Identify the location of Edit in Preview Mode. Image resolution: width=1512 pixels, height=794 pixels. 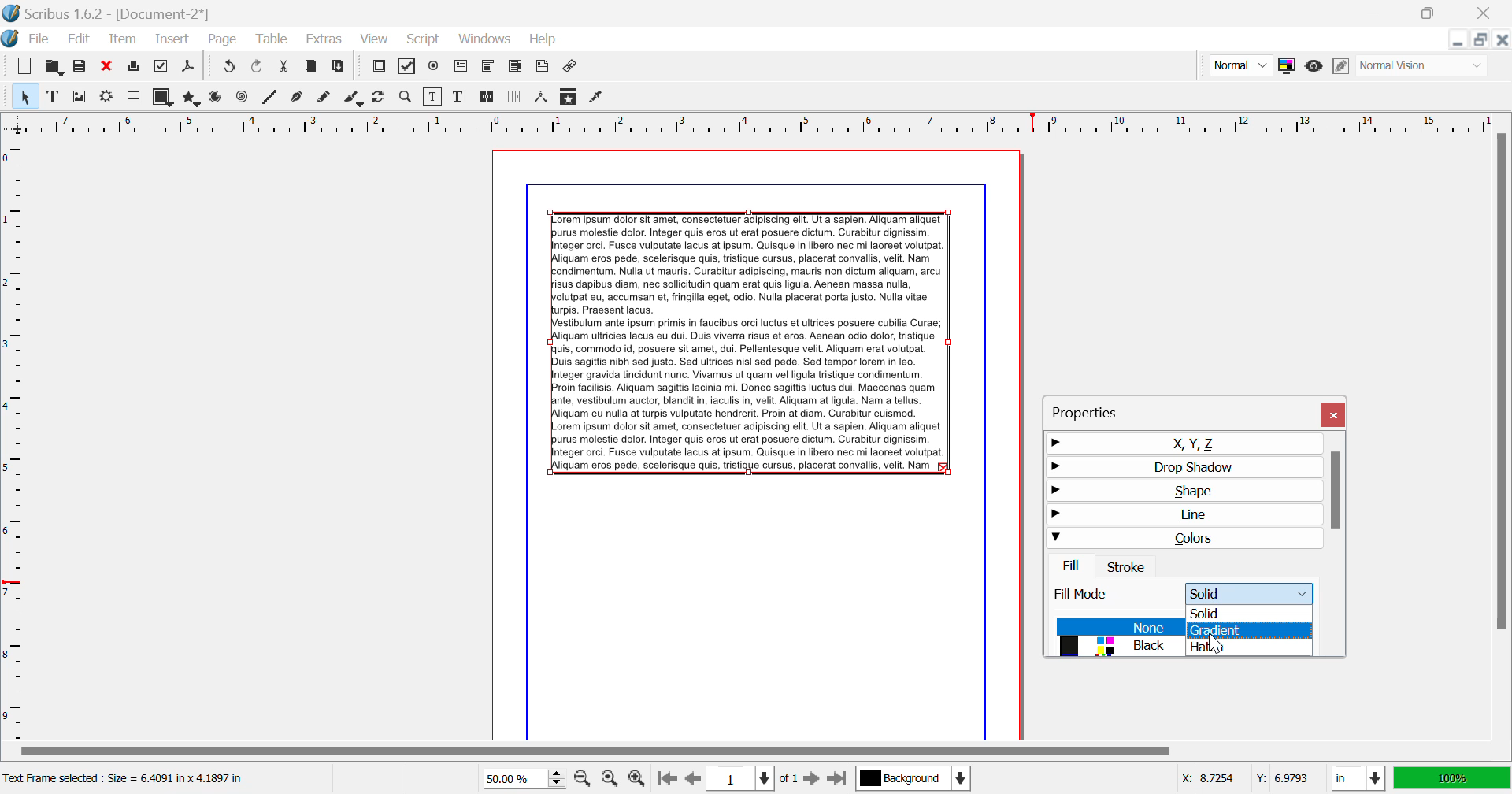
(1343, 66).